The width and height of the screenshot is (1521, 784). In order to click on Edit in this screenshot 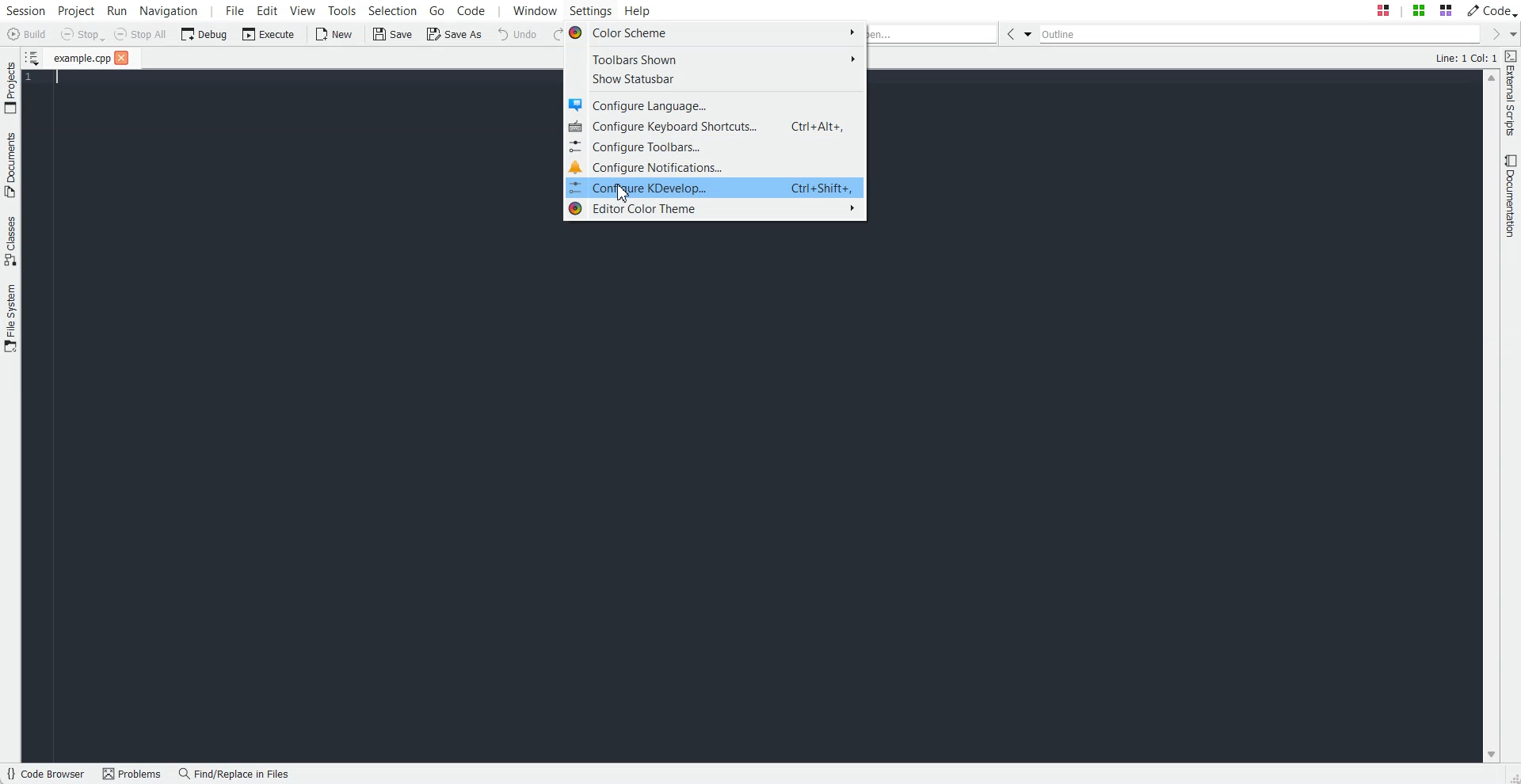, I will do `click(267, 10)`.